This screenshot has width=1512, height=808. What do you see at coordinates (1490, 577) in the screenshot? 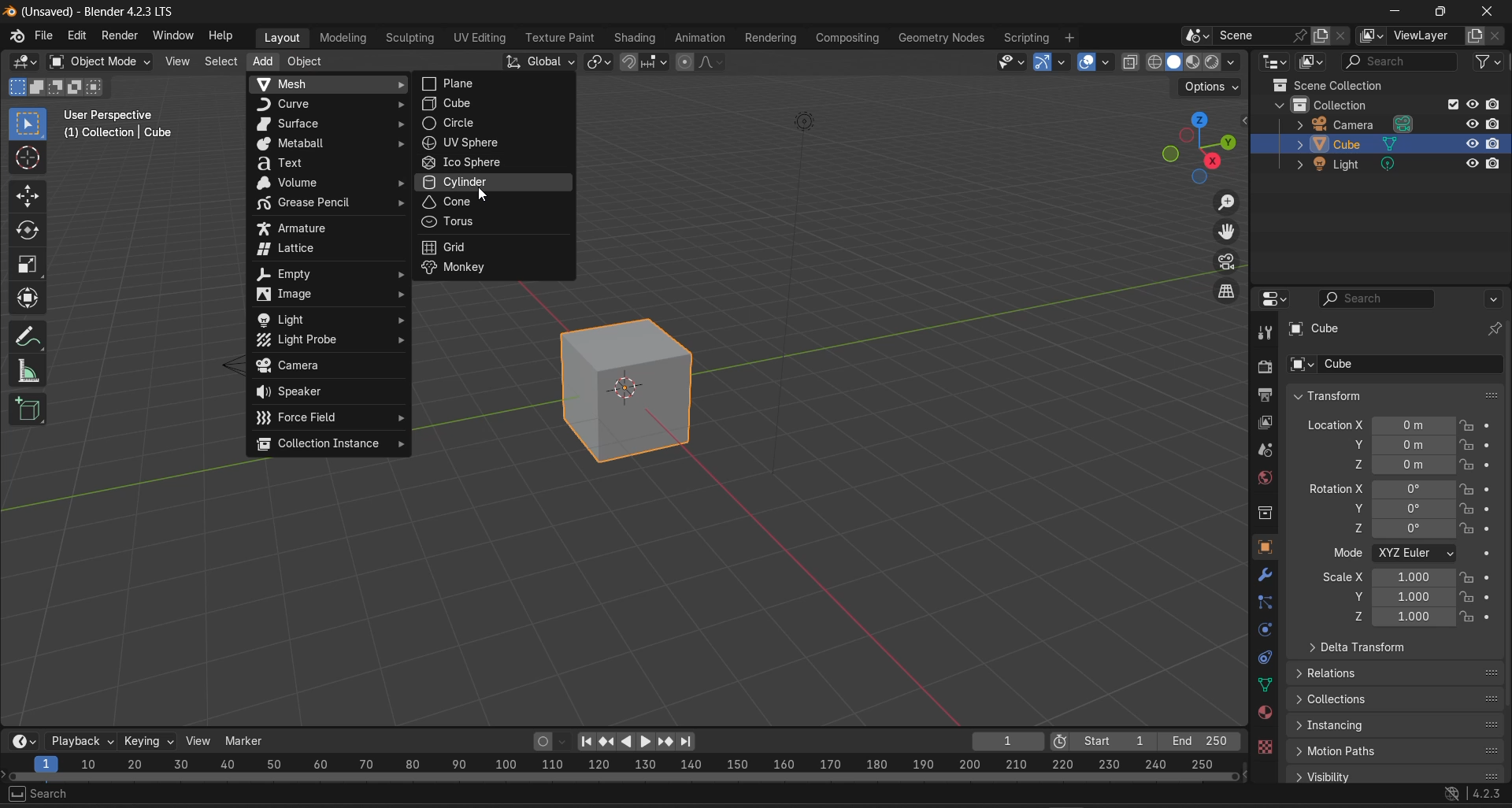
I see `animate property` at bounding box center [1490, 577].